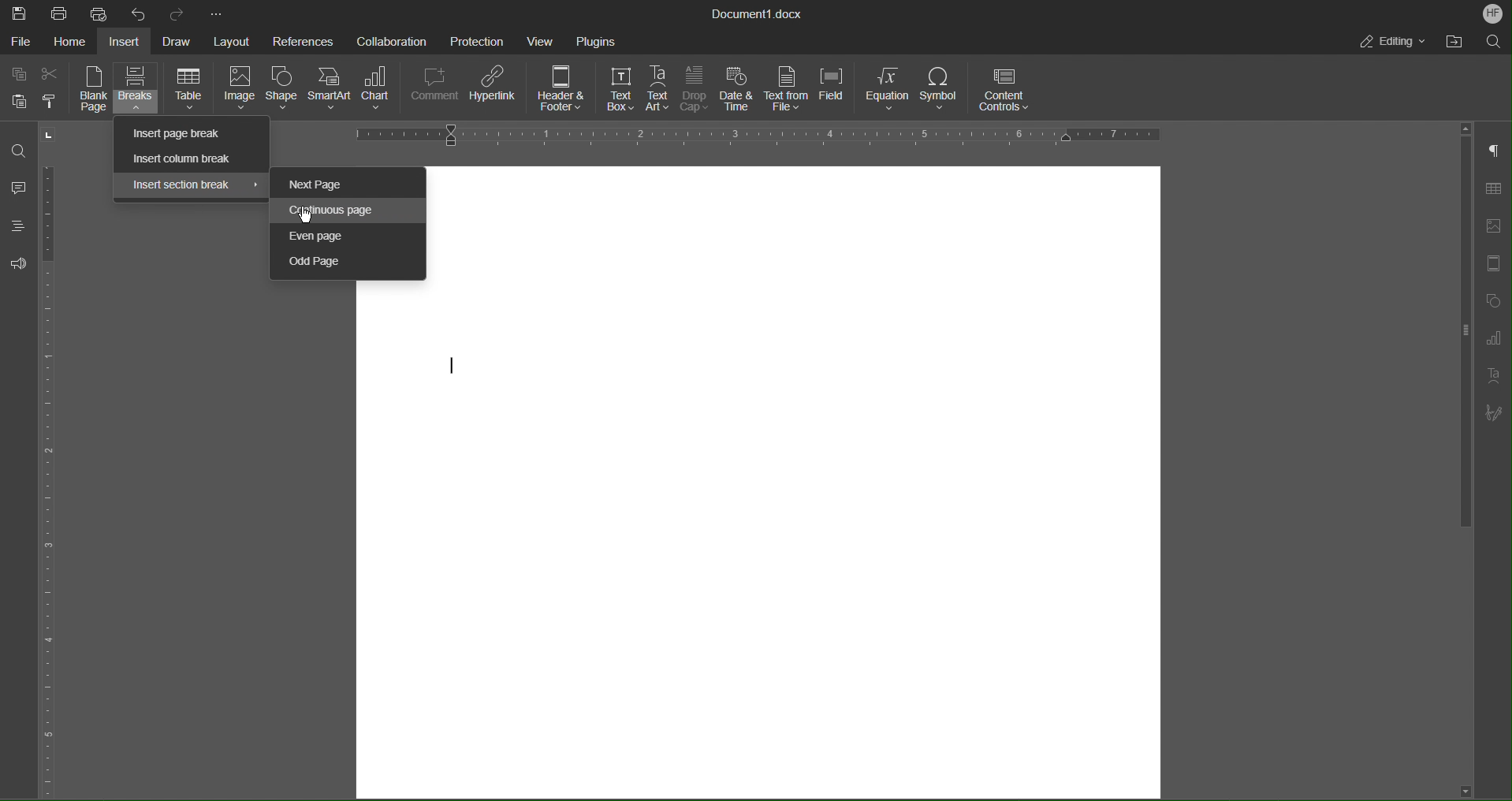 Image resolution: width=1512 pixels, height=801 pixels. I want to click on vertical scroll bar, so click(1460, 329).